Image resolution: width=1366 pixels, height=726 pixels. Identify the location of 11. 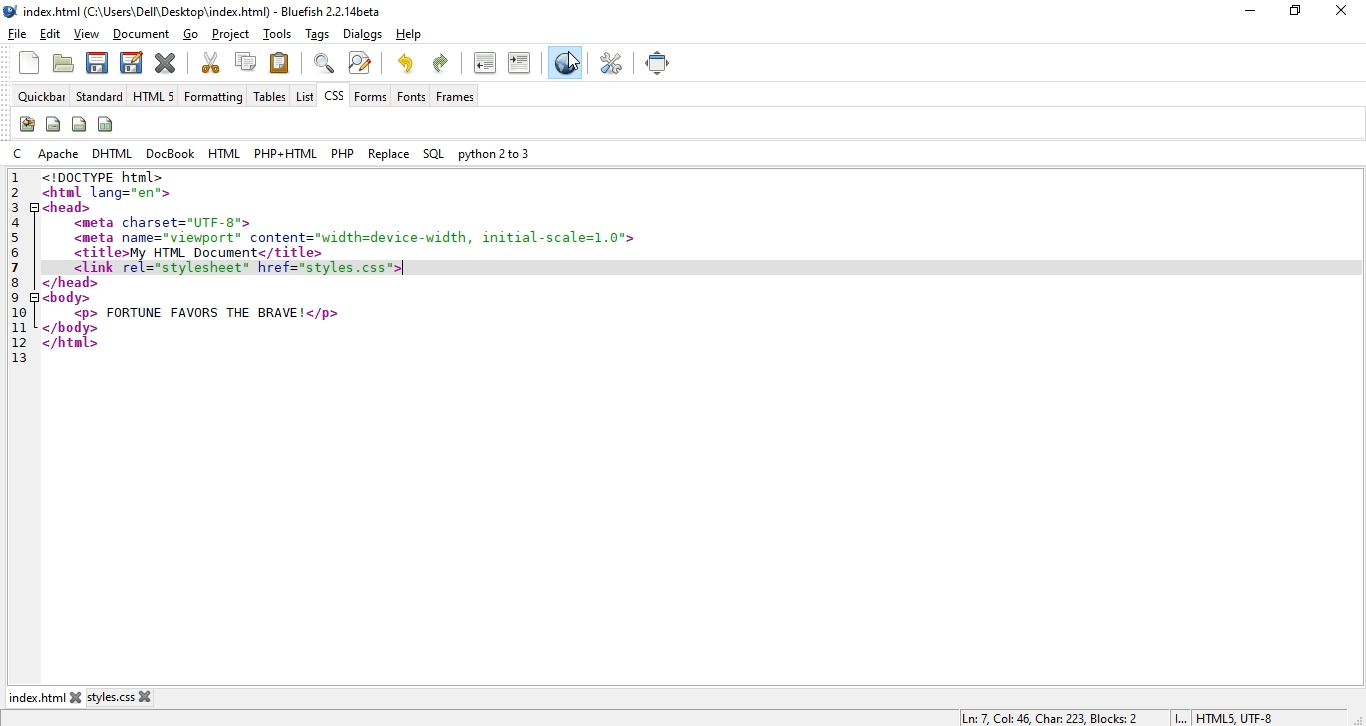
(18, 326).